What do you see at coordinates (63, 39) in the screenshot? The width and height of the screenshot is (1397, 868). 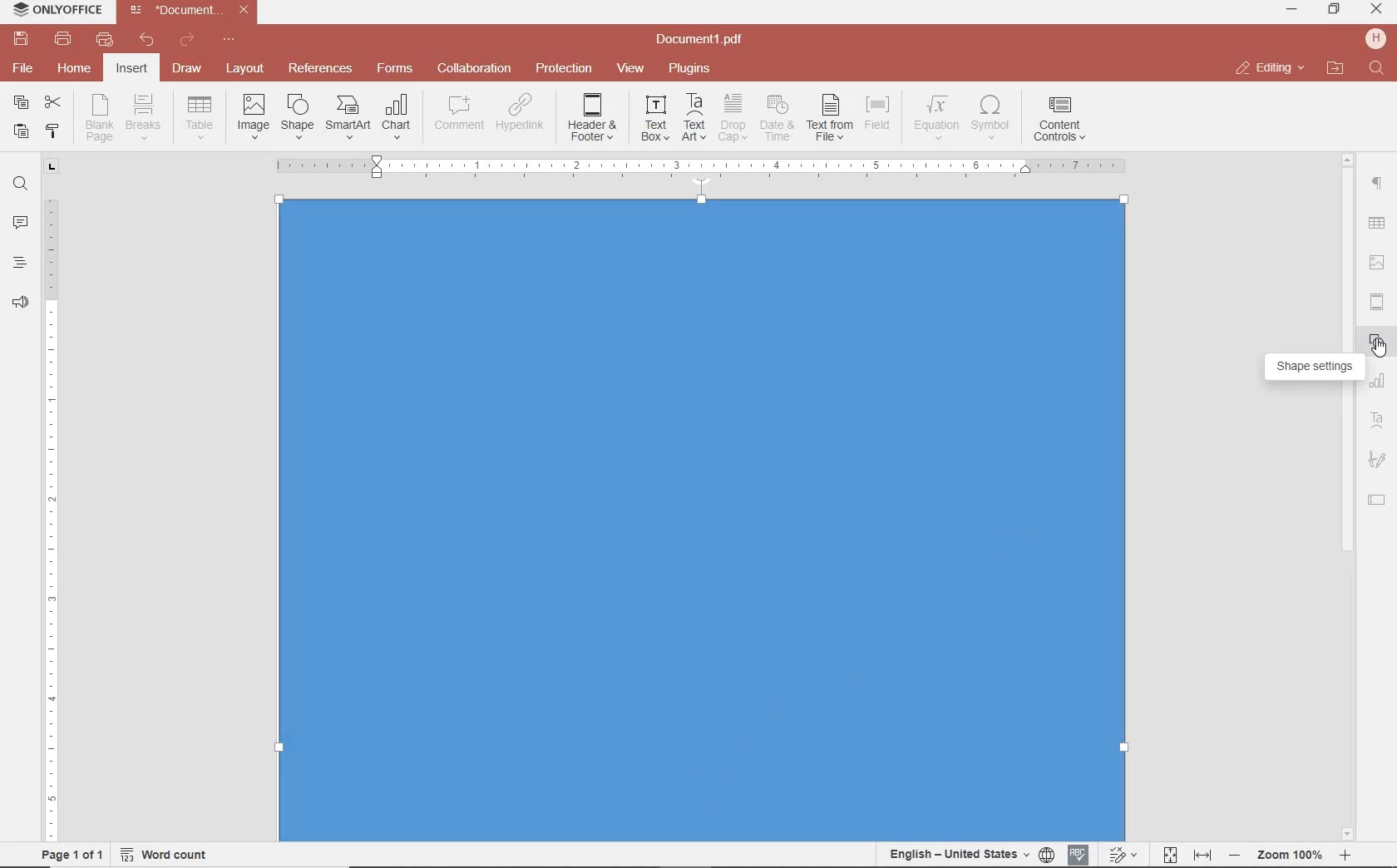 I see `print file` at bounding box center [63, 39].